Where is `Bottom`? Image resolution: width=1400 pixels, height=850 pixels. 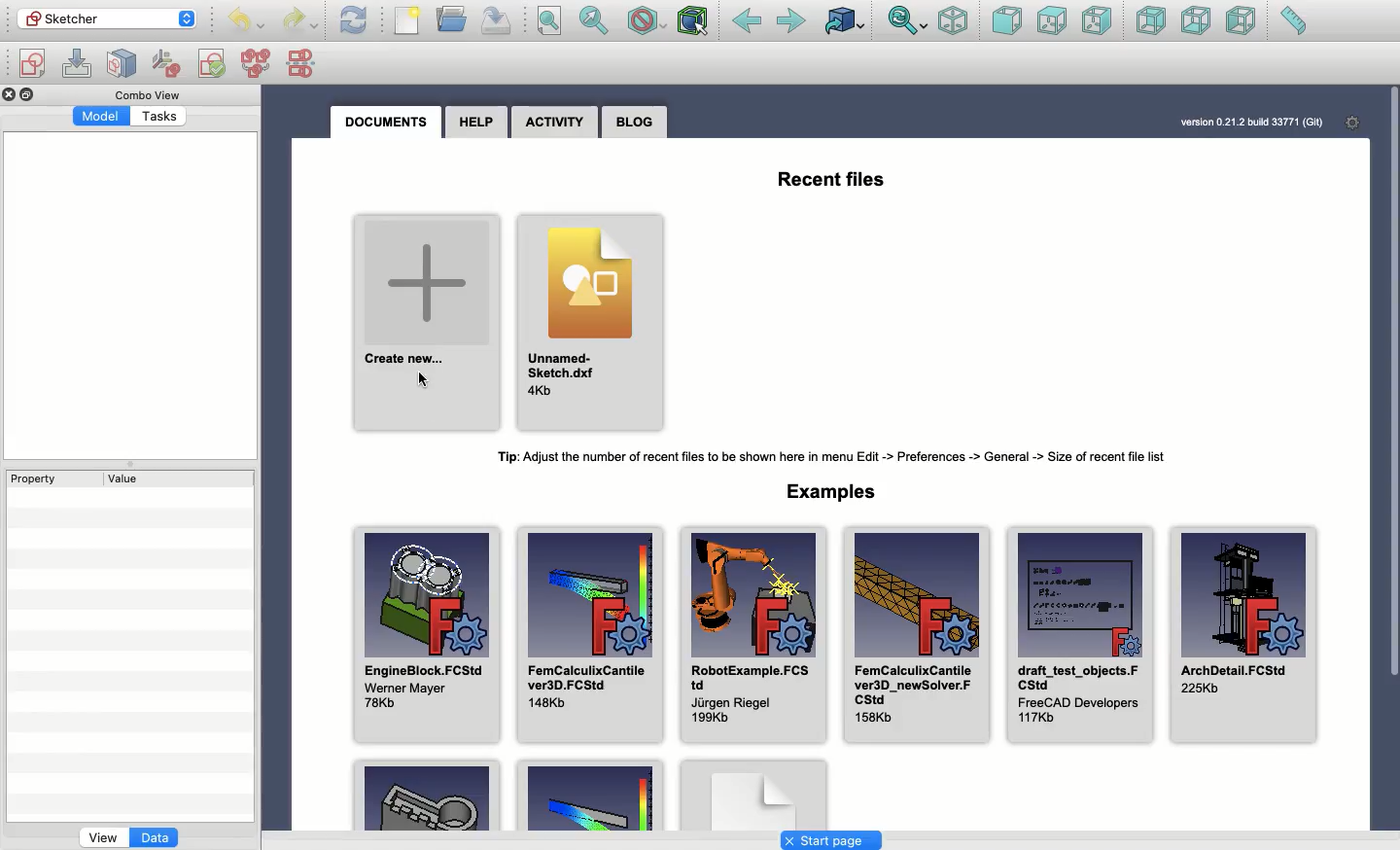
Bottom is located at coordinates (1196, 22).